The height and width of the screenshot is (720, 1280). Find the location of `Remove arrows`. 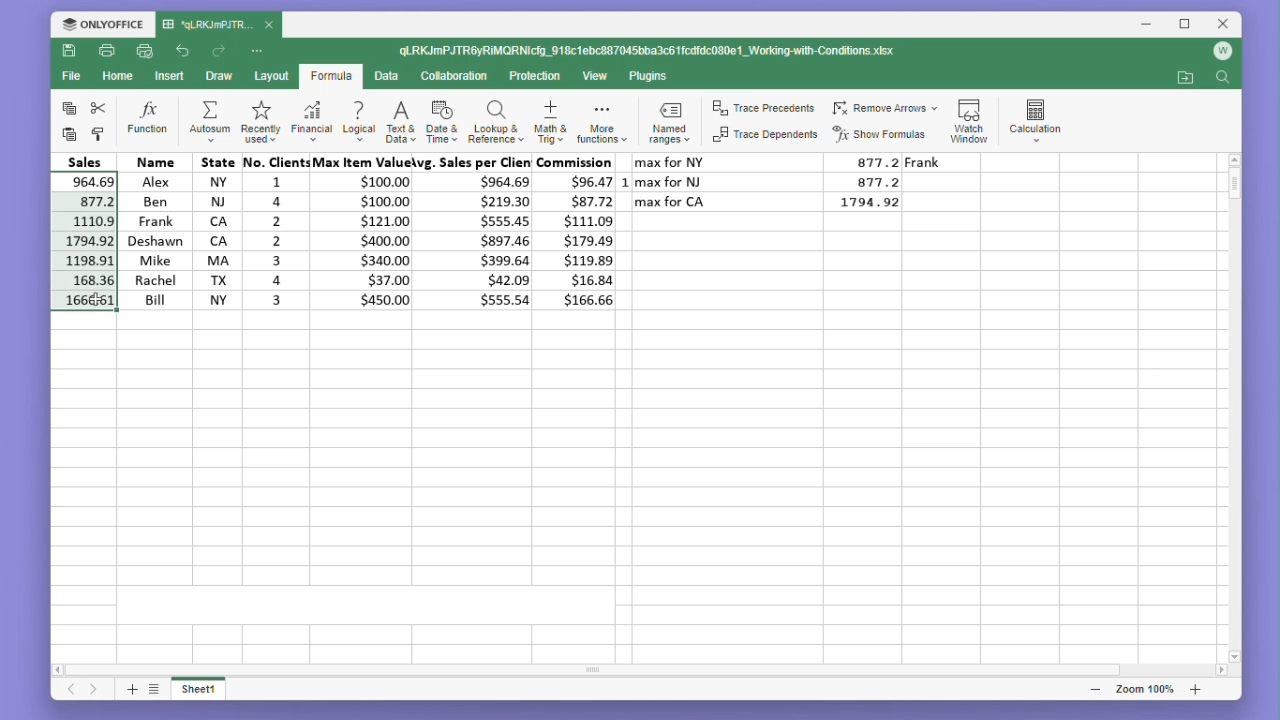

Remove arrows is located at coordinates (884, 109).